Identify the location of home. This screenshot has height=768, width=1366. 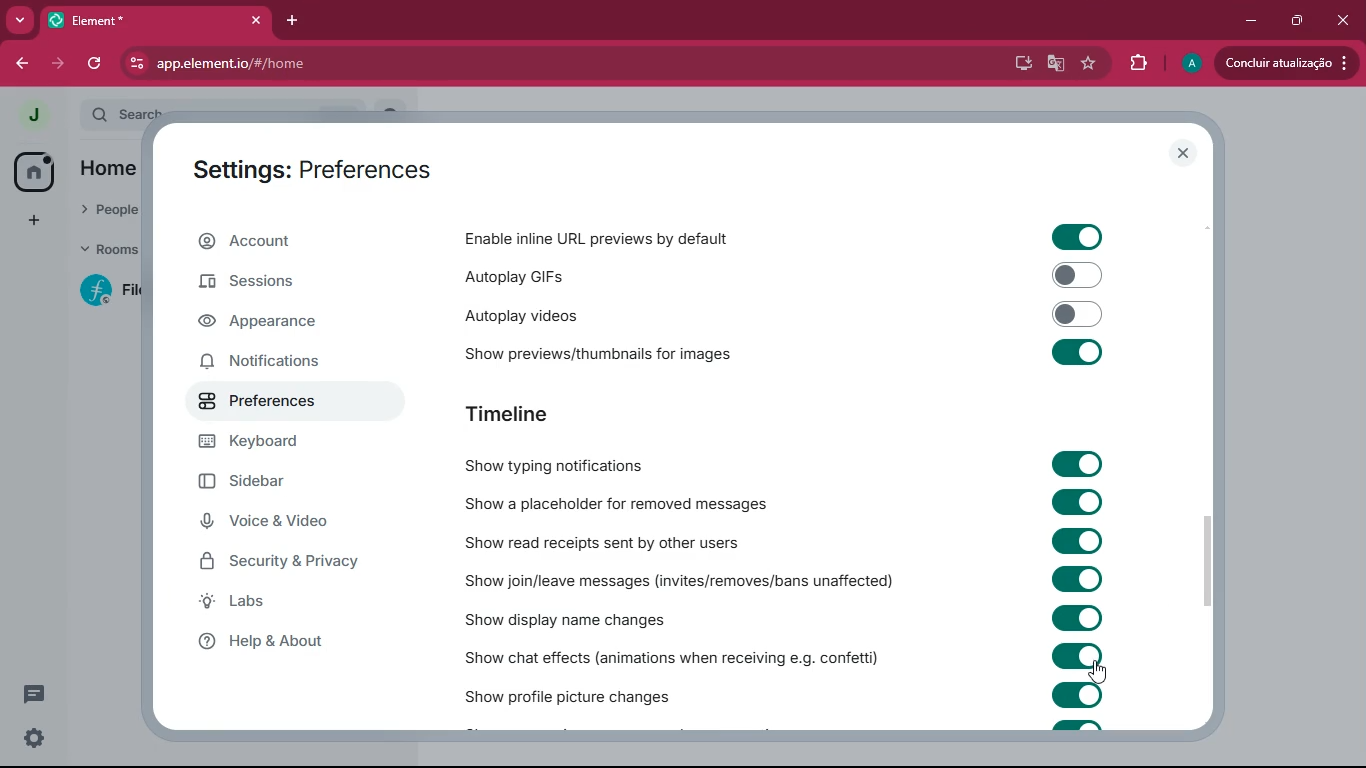
(108, 170).